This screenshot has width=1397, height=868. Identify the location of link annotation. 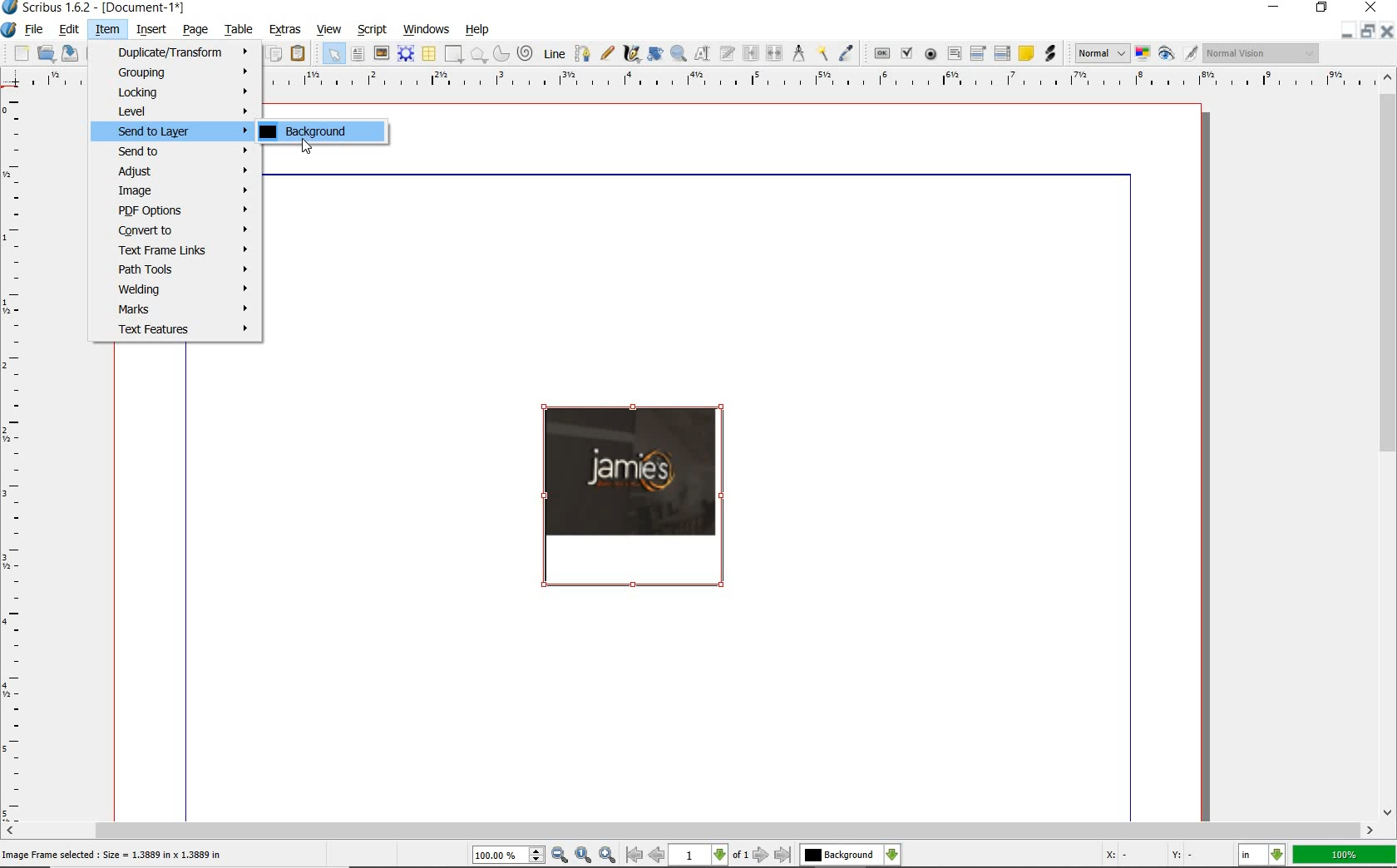
(1050, 55).